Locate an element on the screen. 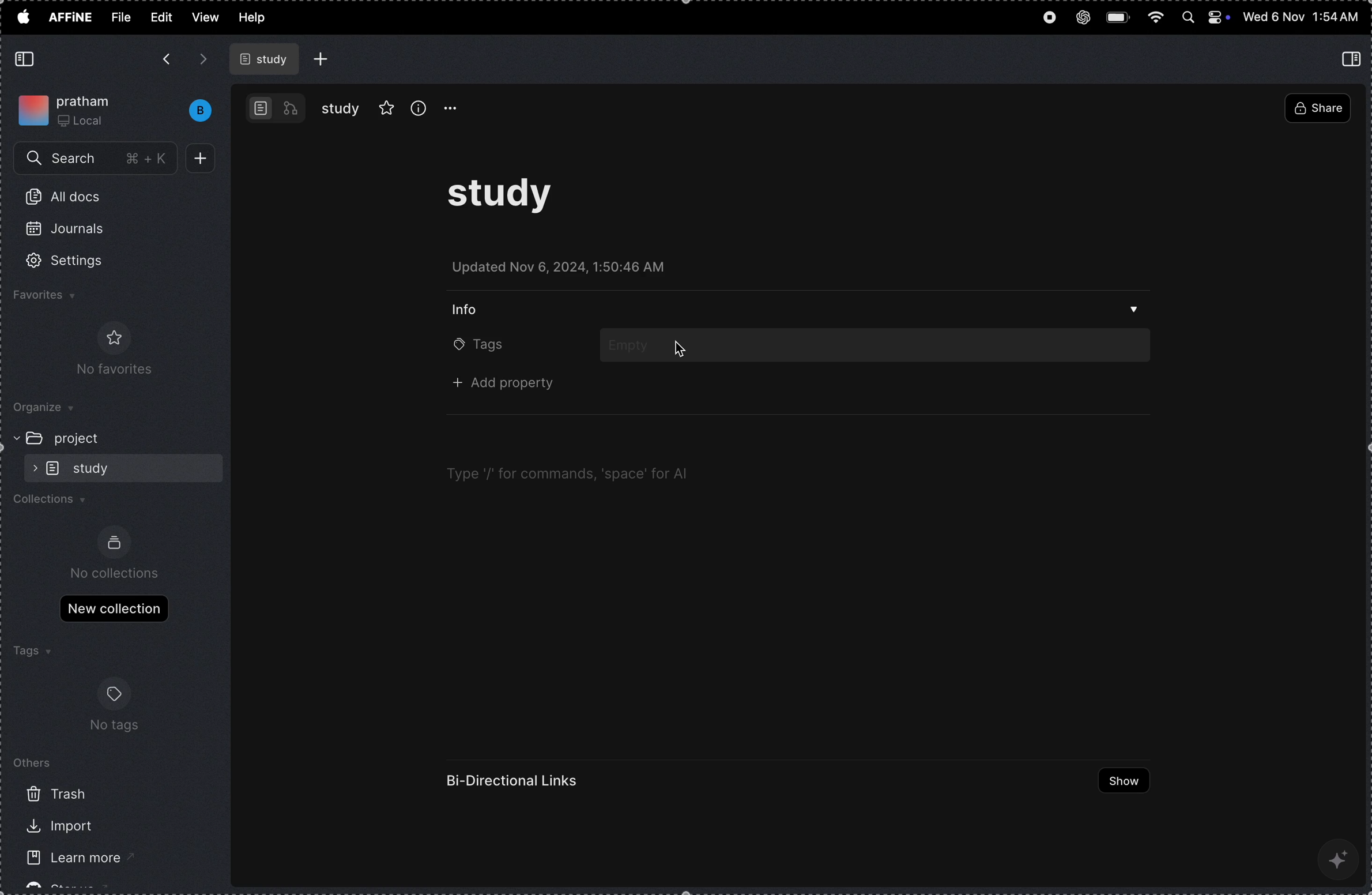  show is located at coordinates (1118, 781).